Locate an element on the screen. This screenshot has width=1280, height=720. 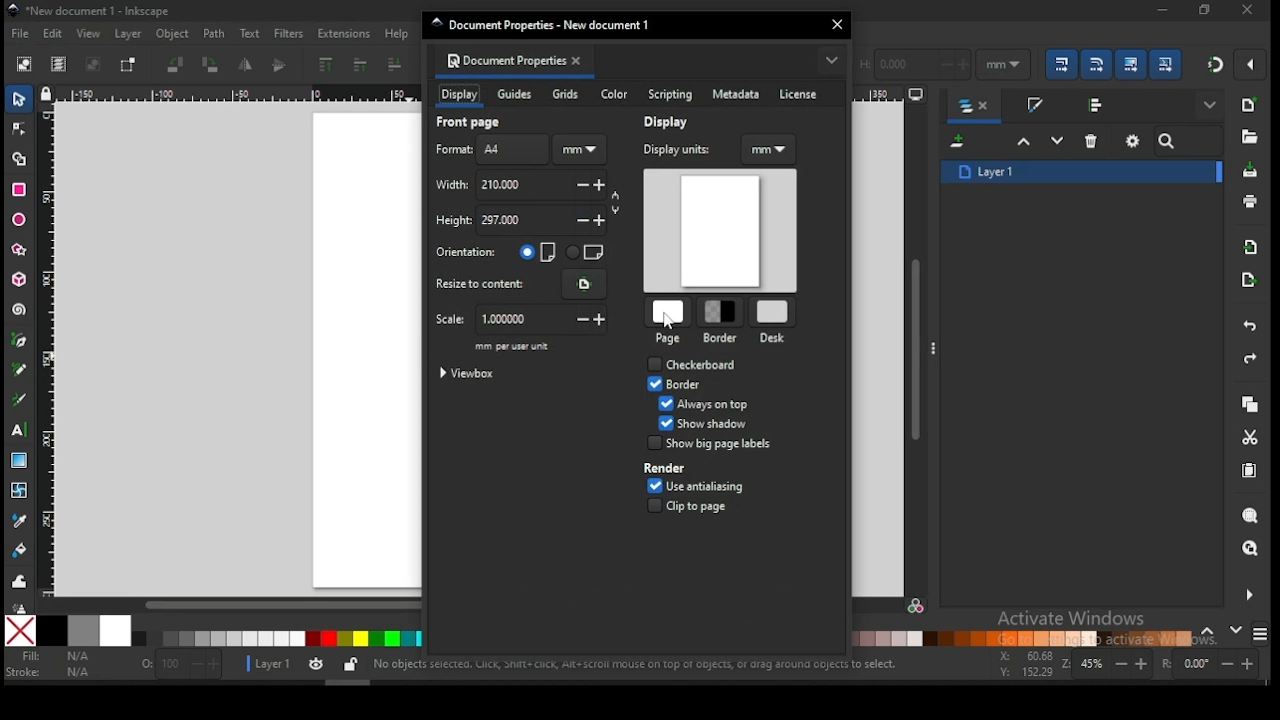
copy is located at coordinates (1249, 405).